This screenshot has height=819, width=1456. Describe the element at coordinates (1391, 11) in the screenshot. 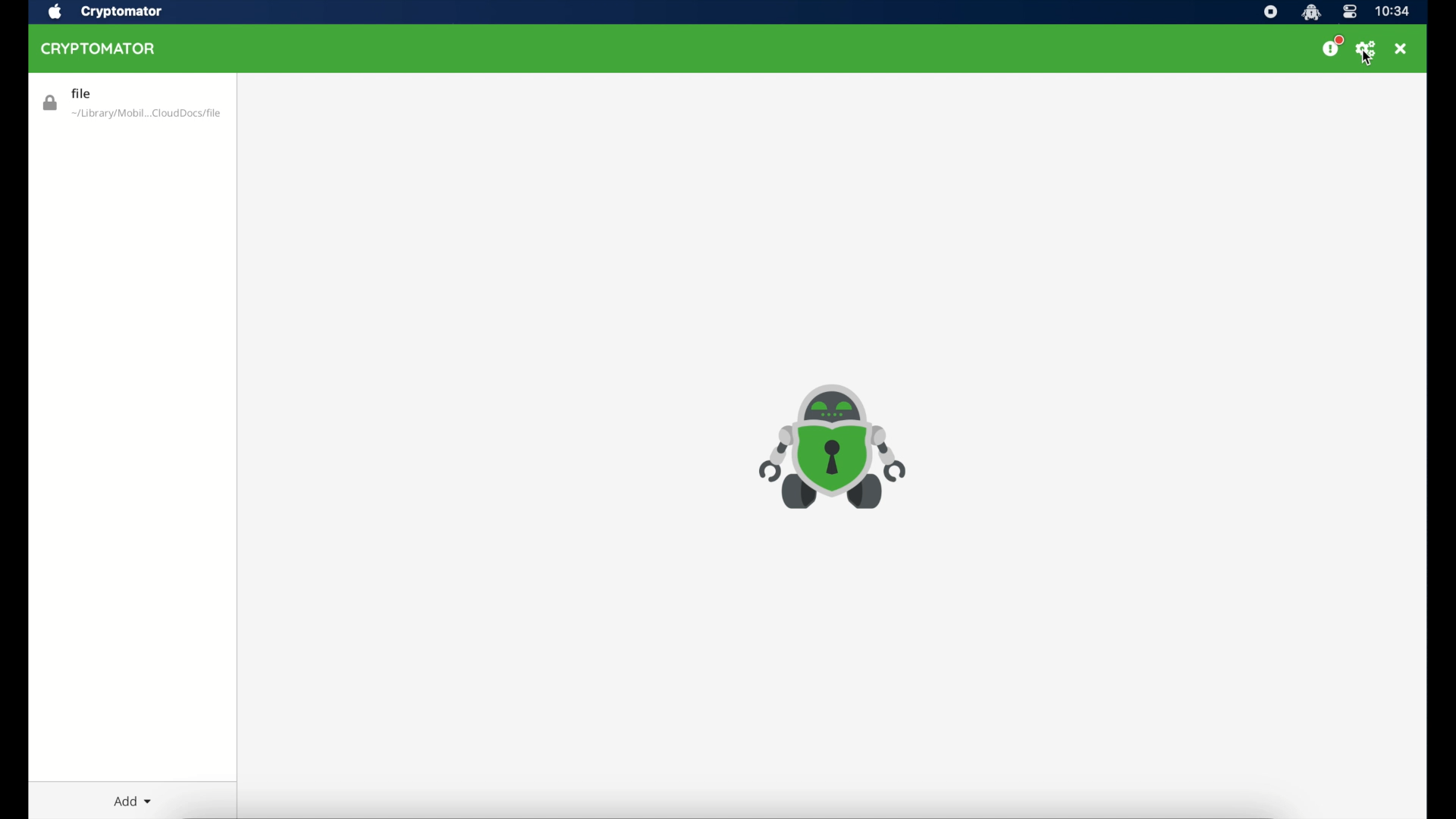

I see `time` at that location.